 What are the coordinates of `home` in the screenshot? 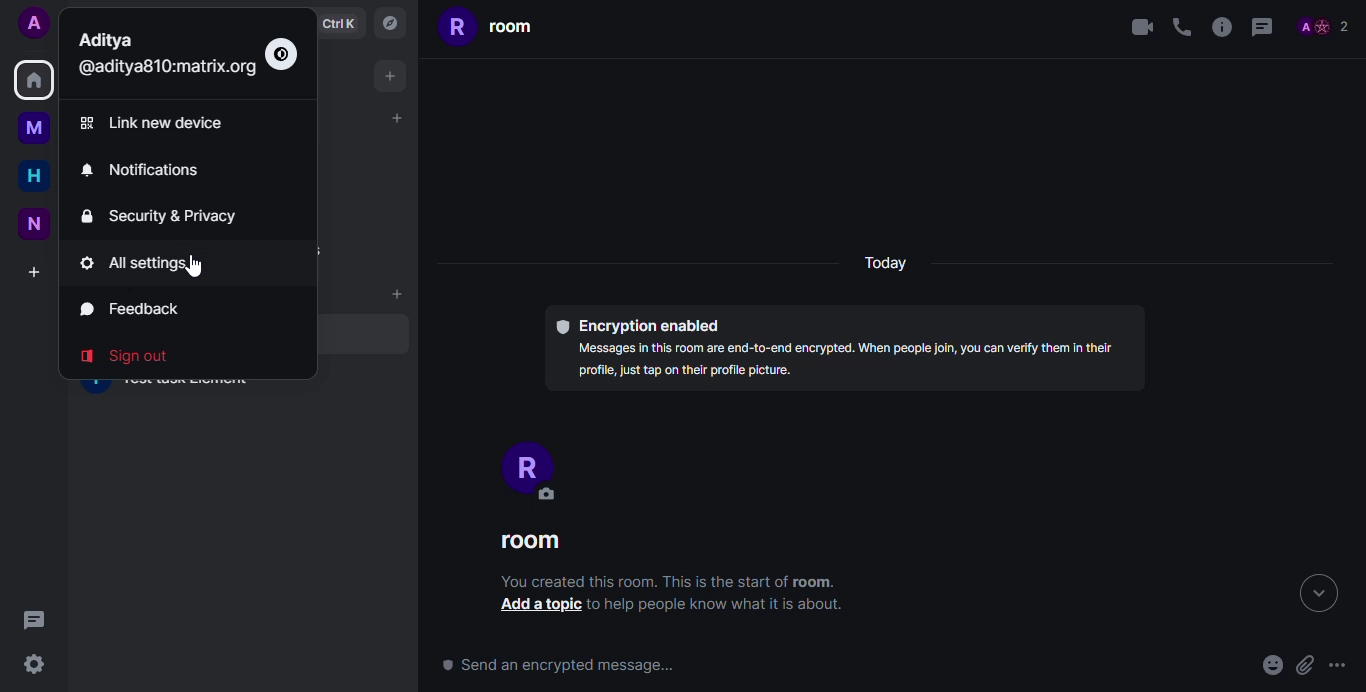 It's located at (34, 80).